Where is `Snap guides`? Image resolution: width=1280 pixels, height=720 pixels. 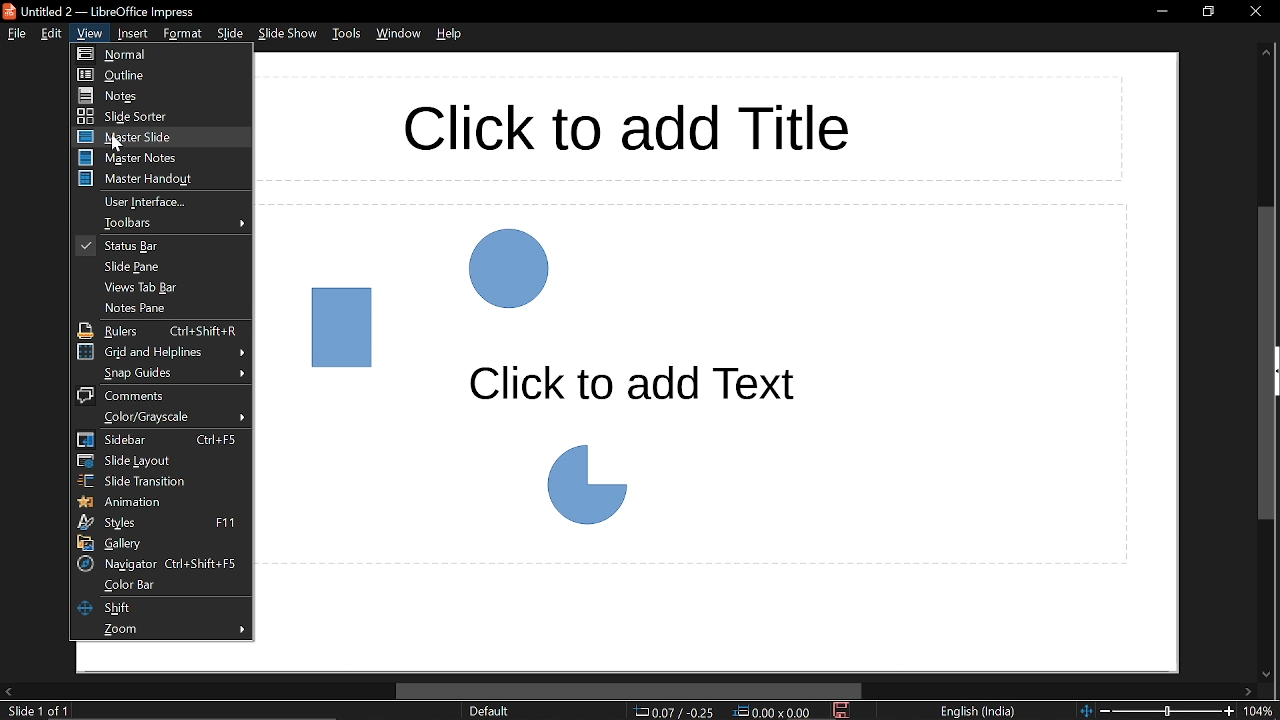
Snap guides is located at coordinates (158, 373).